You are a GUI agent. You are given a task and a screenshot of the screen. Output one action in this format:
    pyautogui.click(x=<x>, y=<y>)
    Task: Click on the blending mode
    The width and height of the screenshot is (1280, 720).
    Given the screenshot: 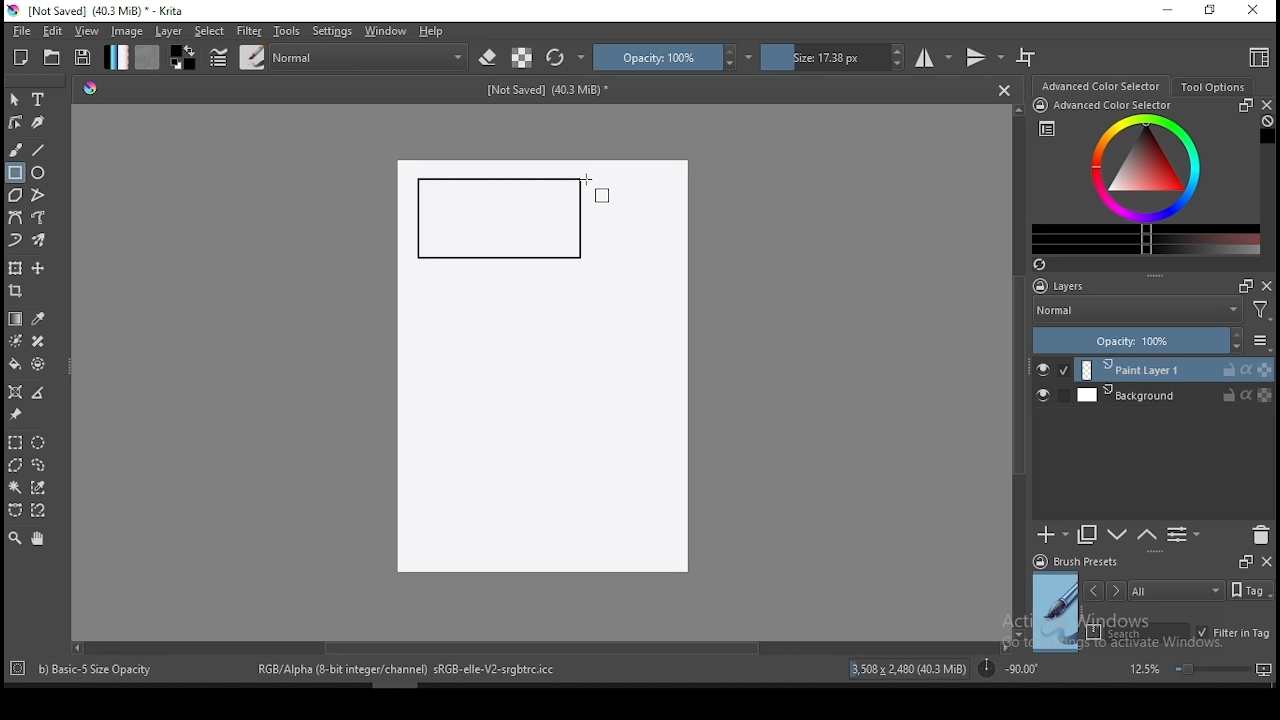 What is the action you would take?
    pyautogui.click(x=370, y=57)
    